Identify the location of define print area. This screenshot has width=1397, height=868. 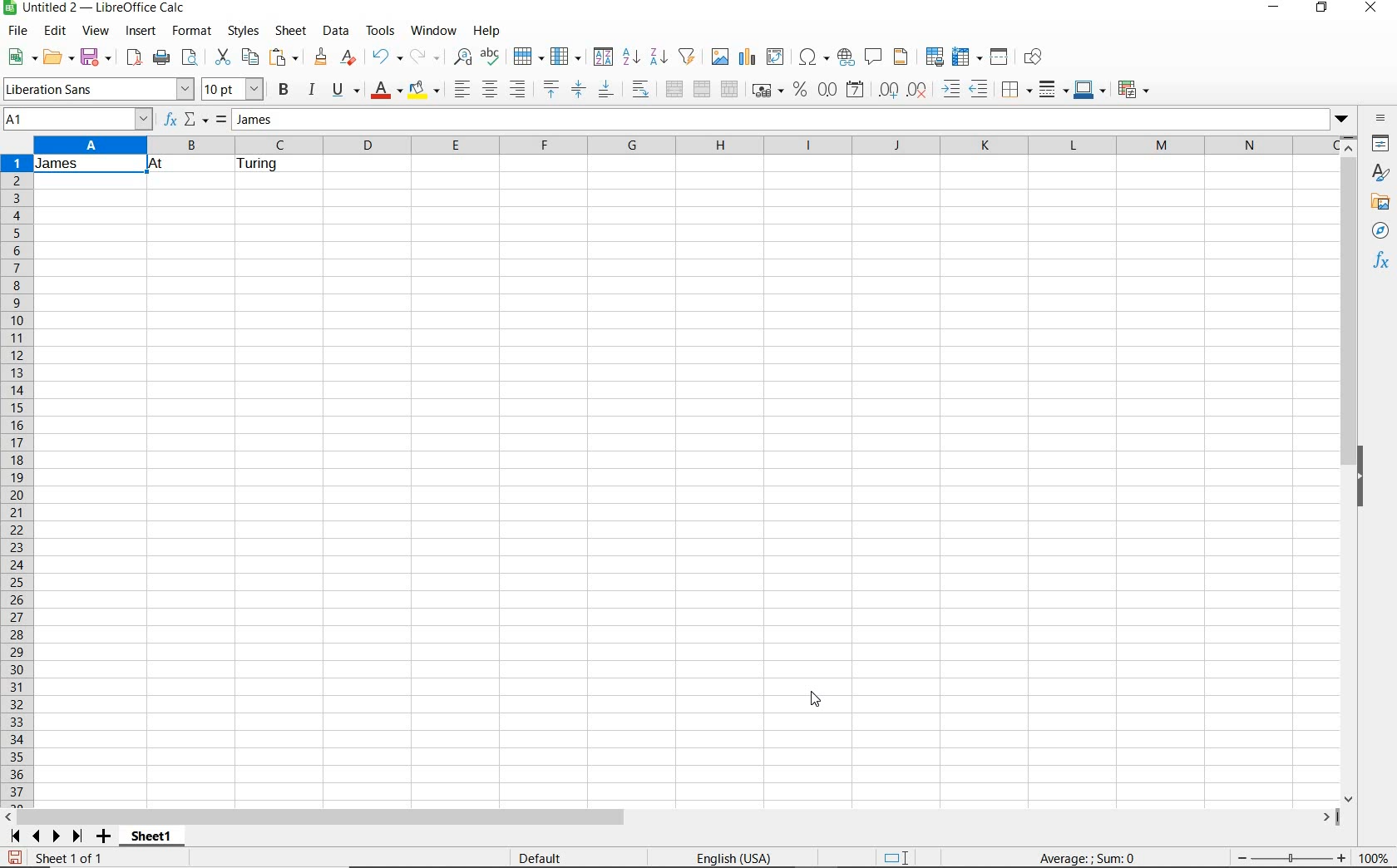
(933, 57).